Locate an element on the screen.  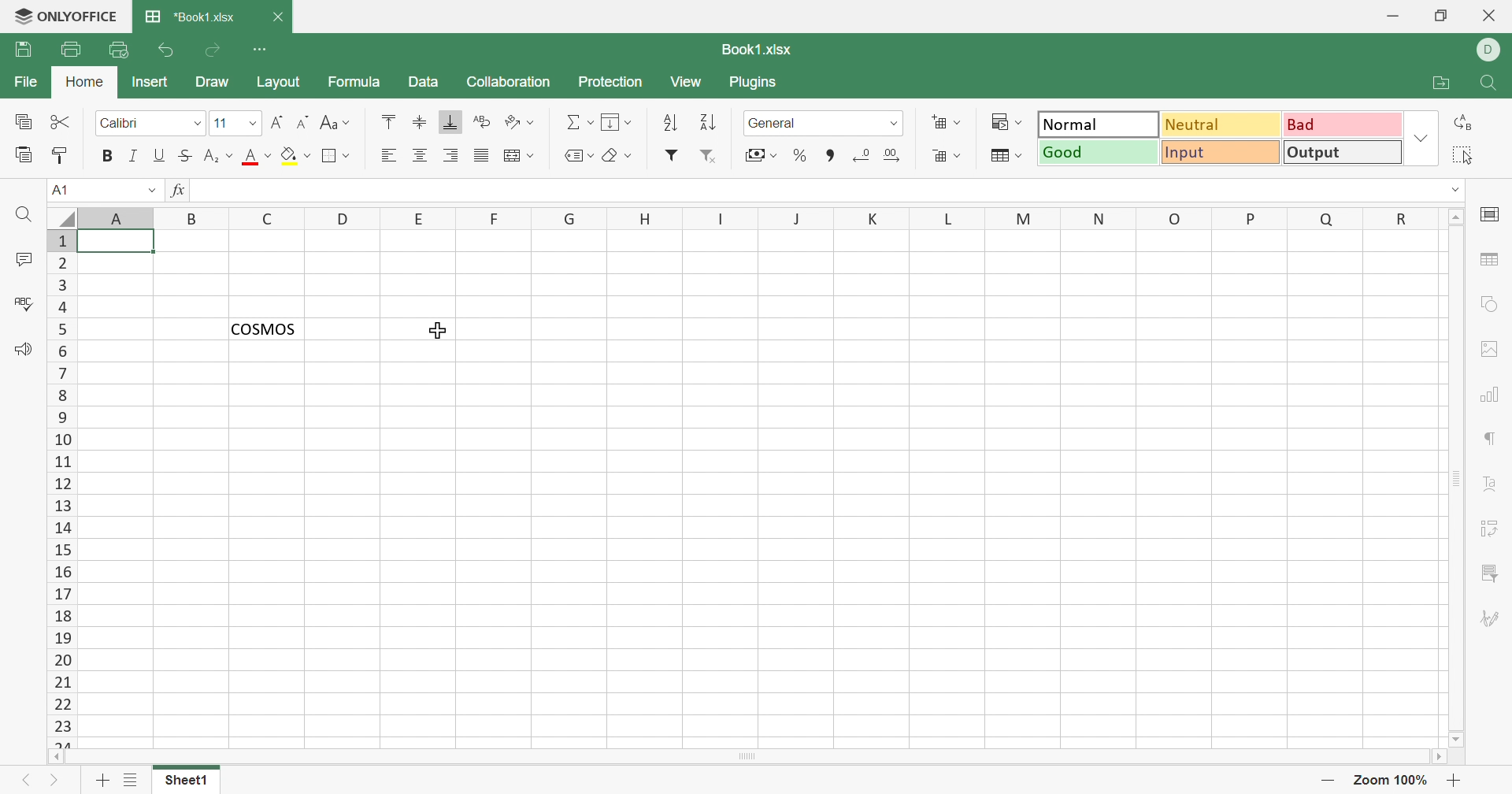
fx is located at coordinates (182, 191).